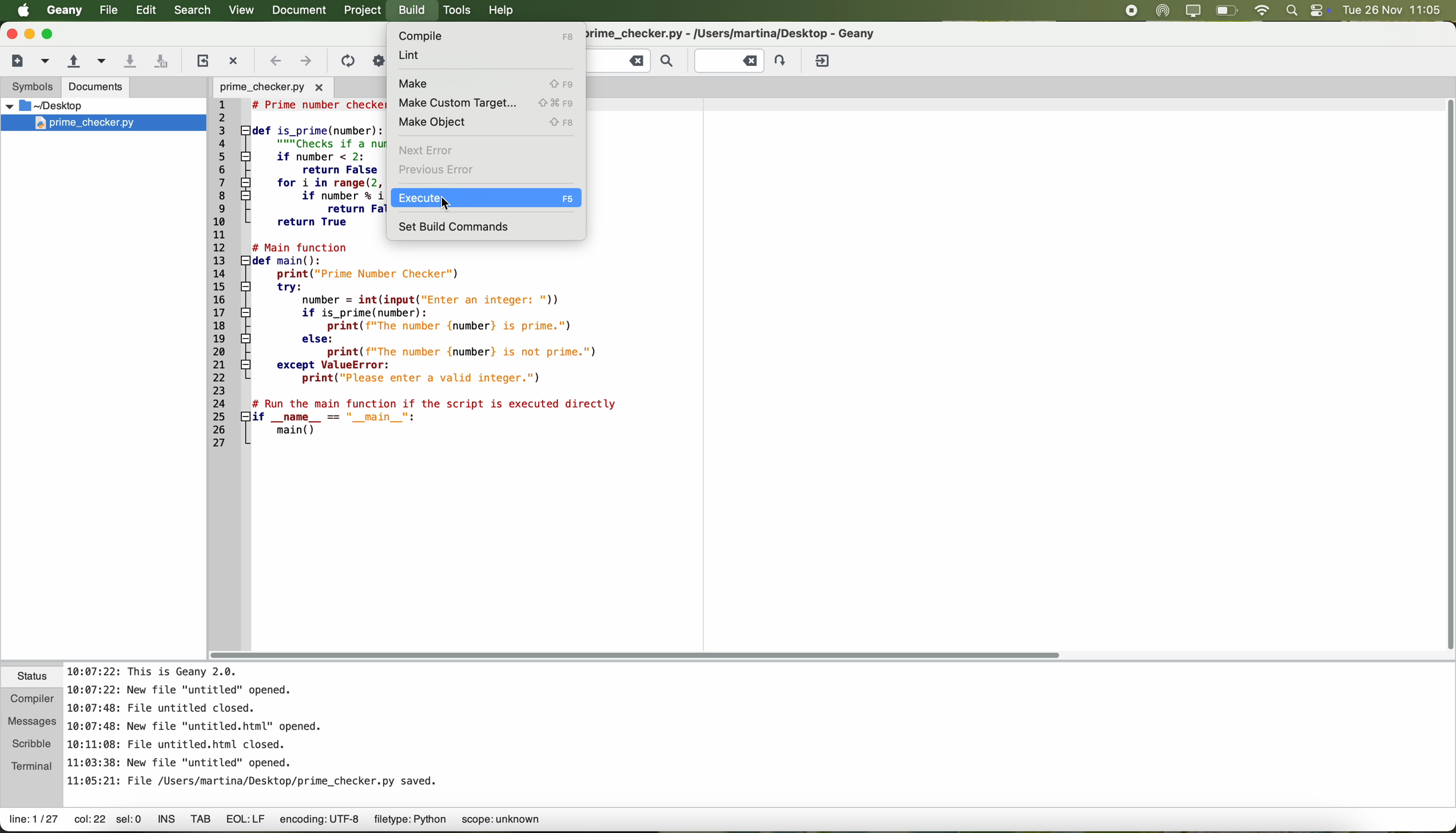  Describe the element at coordinates (484, 199) in the screenshot. I see `click on execute` at that location.